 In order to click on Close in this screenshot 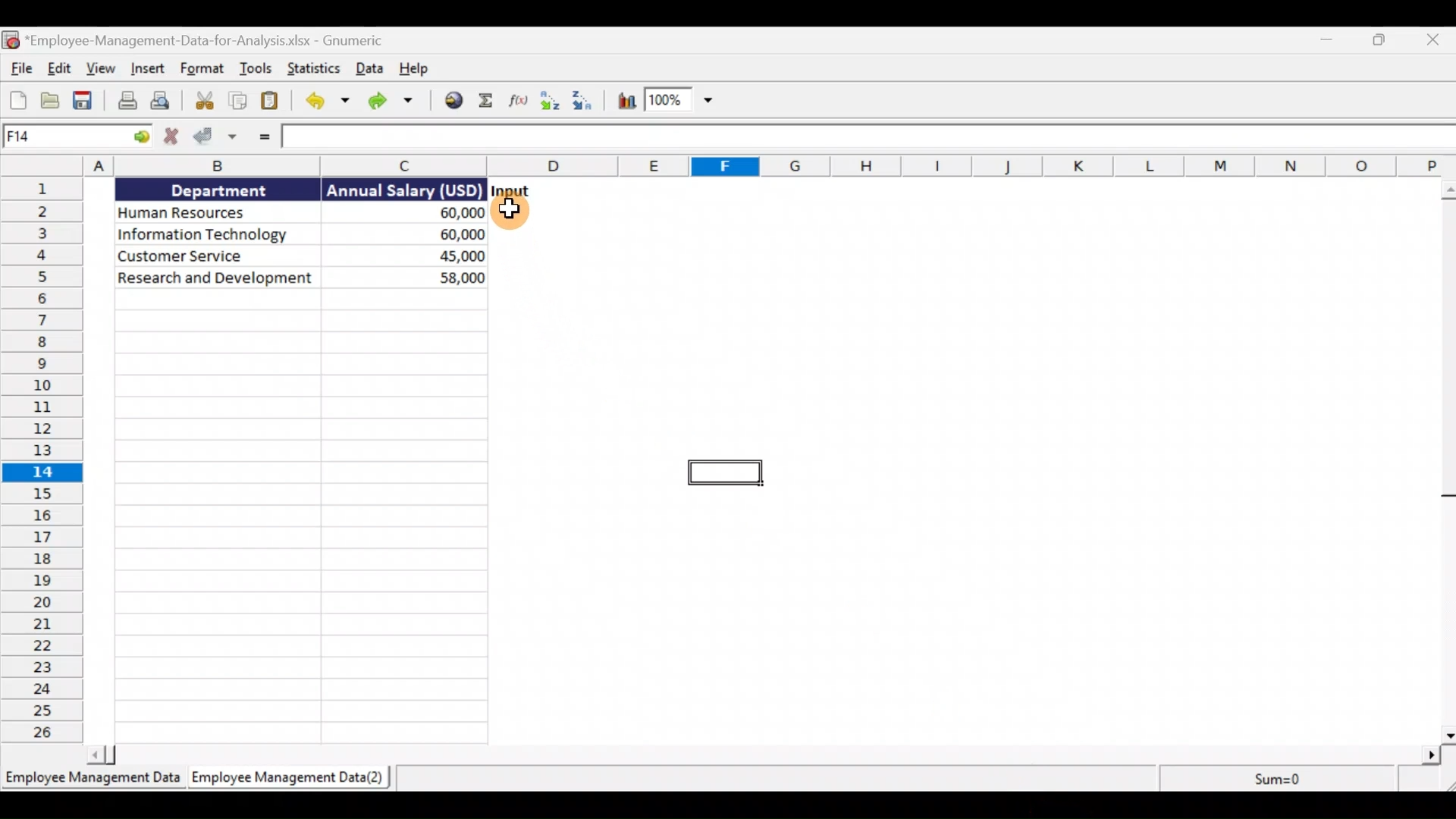, I will do `click(1433, 40)`.